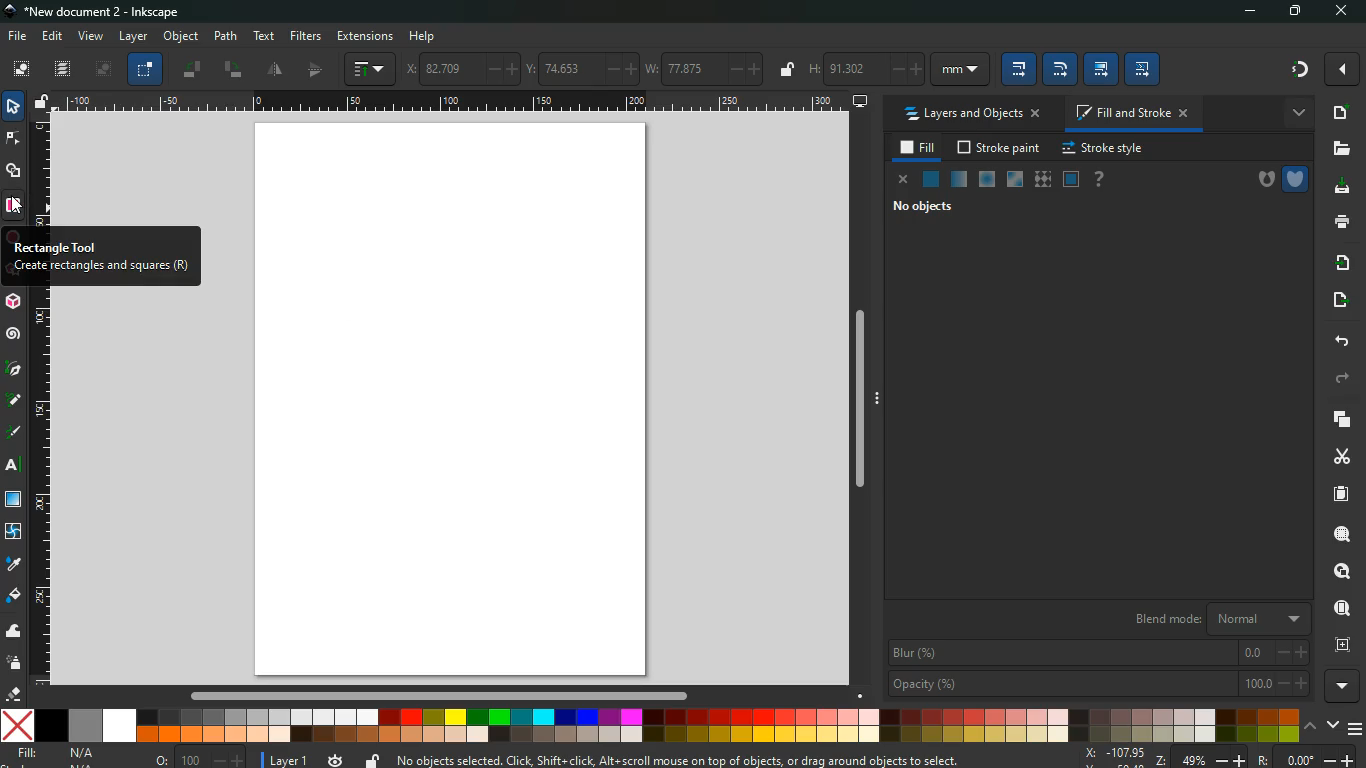  What do you see at coordinates (1337, 151) in the screenshot?
I see `files` at bounding box center [1337, 151].